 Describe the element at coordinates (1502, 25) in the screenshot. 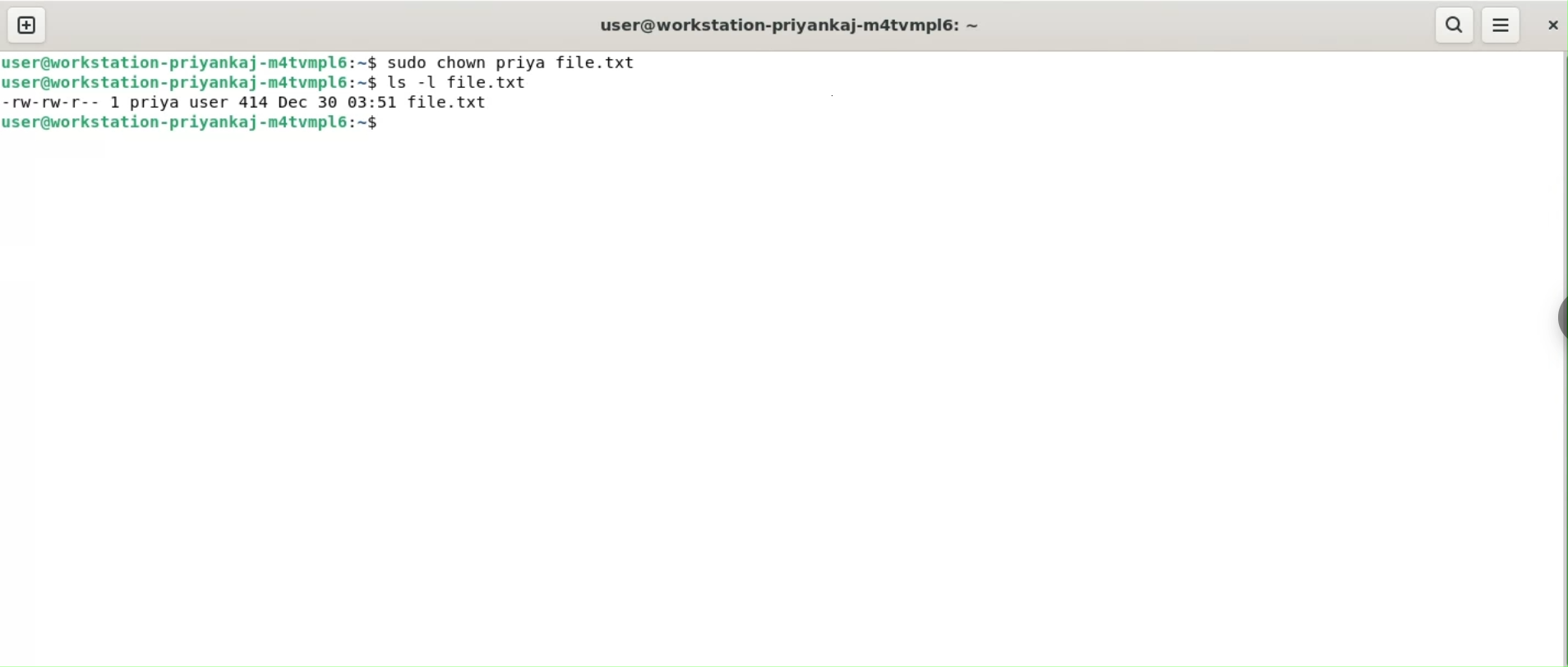

I see `menu` at that location.